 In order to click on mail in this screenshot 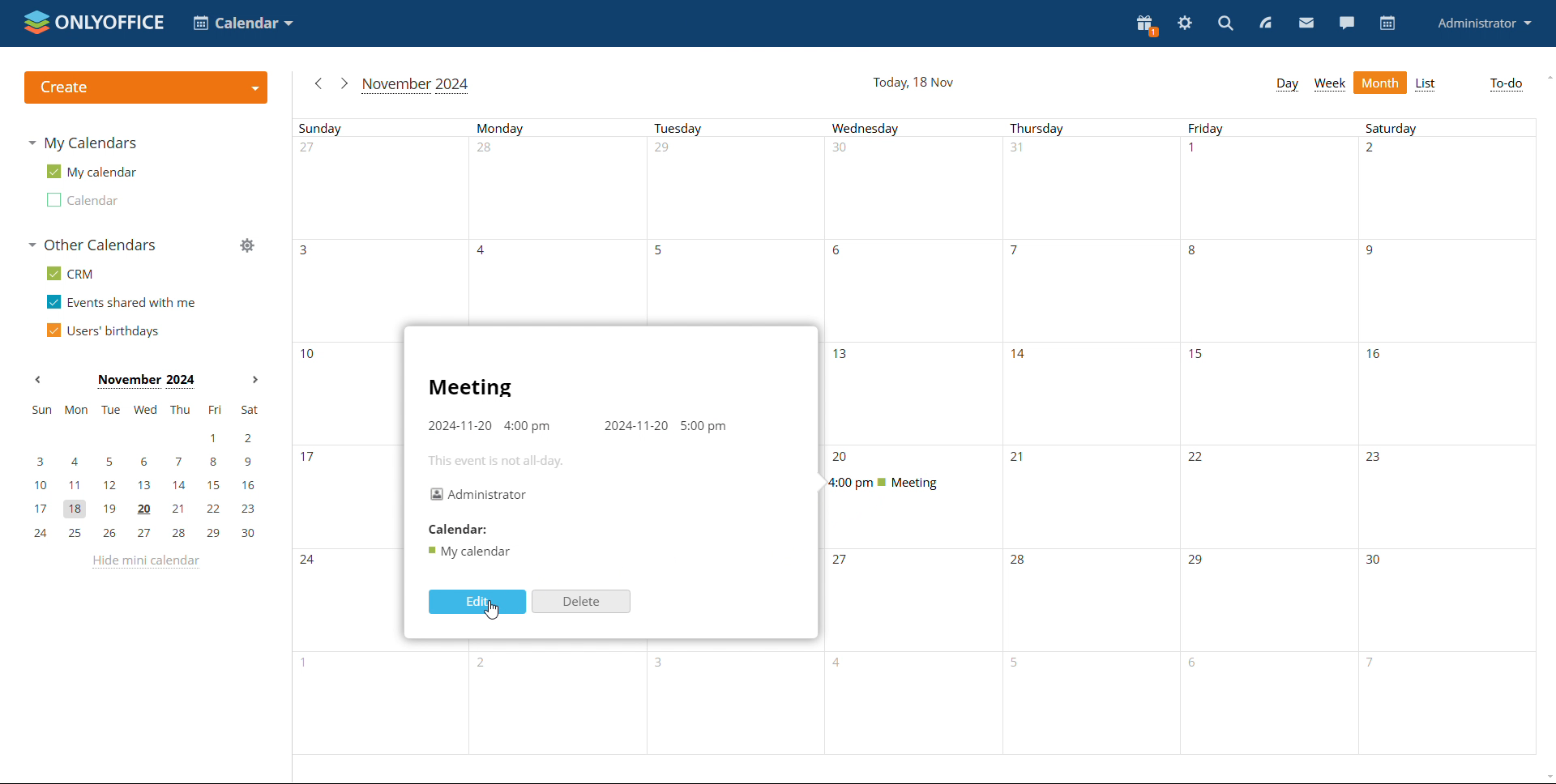, I will do `click(1306, 23)`.